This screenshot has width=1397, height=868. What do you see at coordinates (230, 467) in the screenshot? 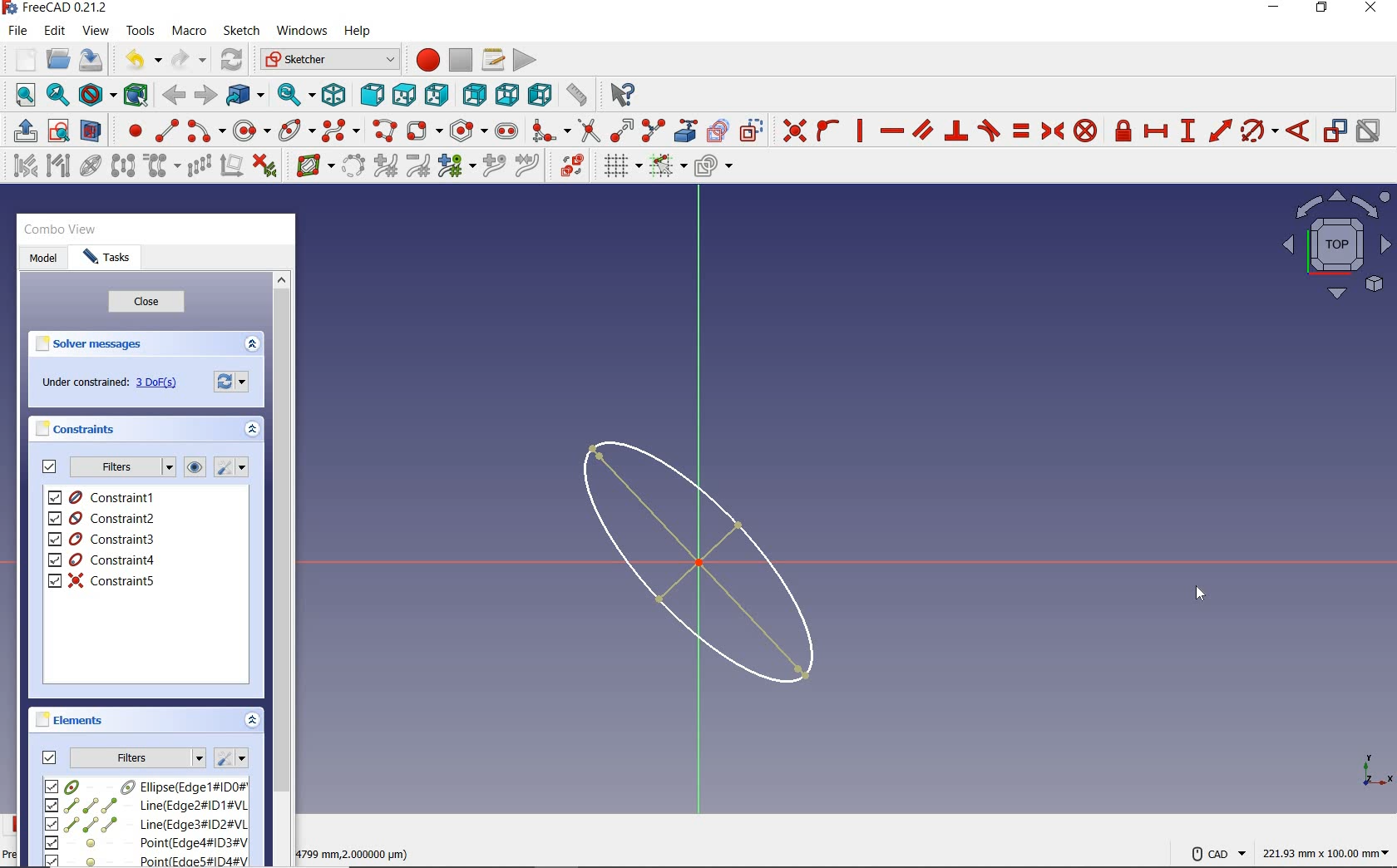
I see `settings` at bounding box center [230, 467].